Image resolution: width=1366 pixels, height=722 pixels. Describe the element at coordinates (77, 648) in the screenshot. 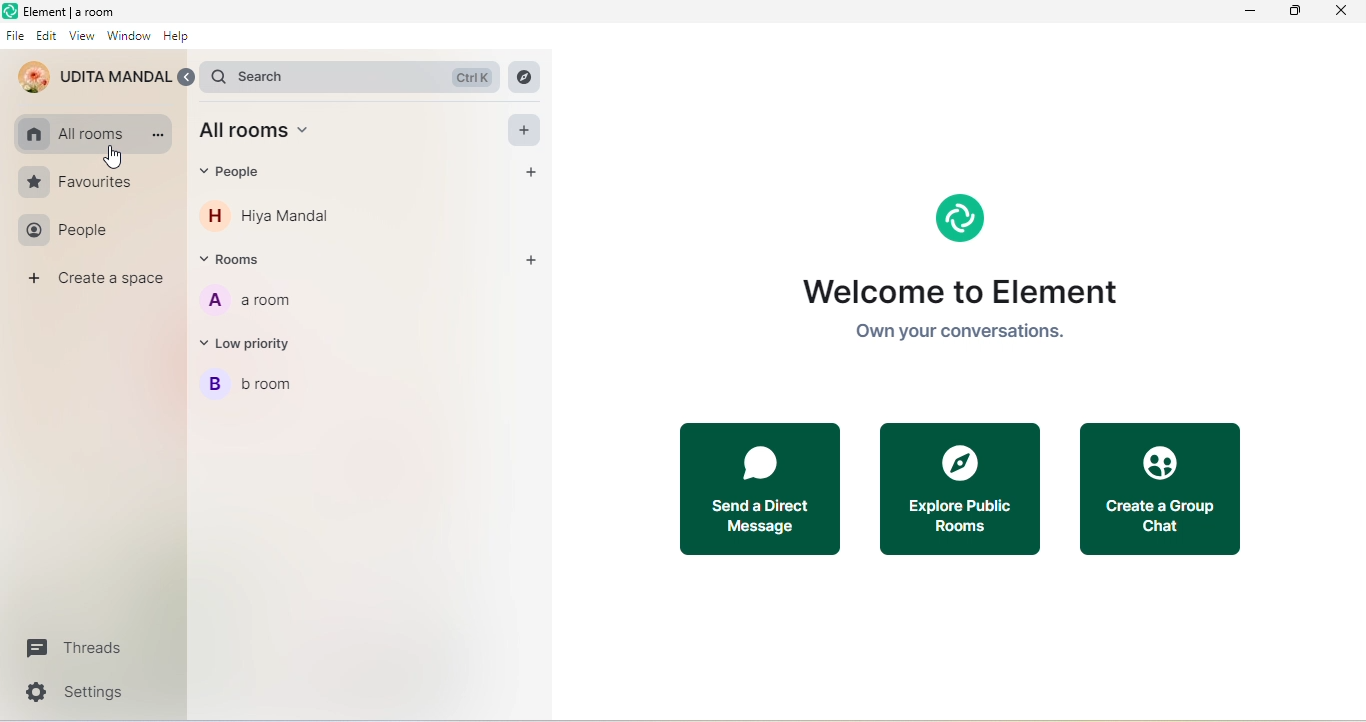

I see `Threads` at that location.